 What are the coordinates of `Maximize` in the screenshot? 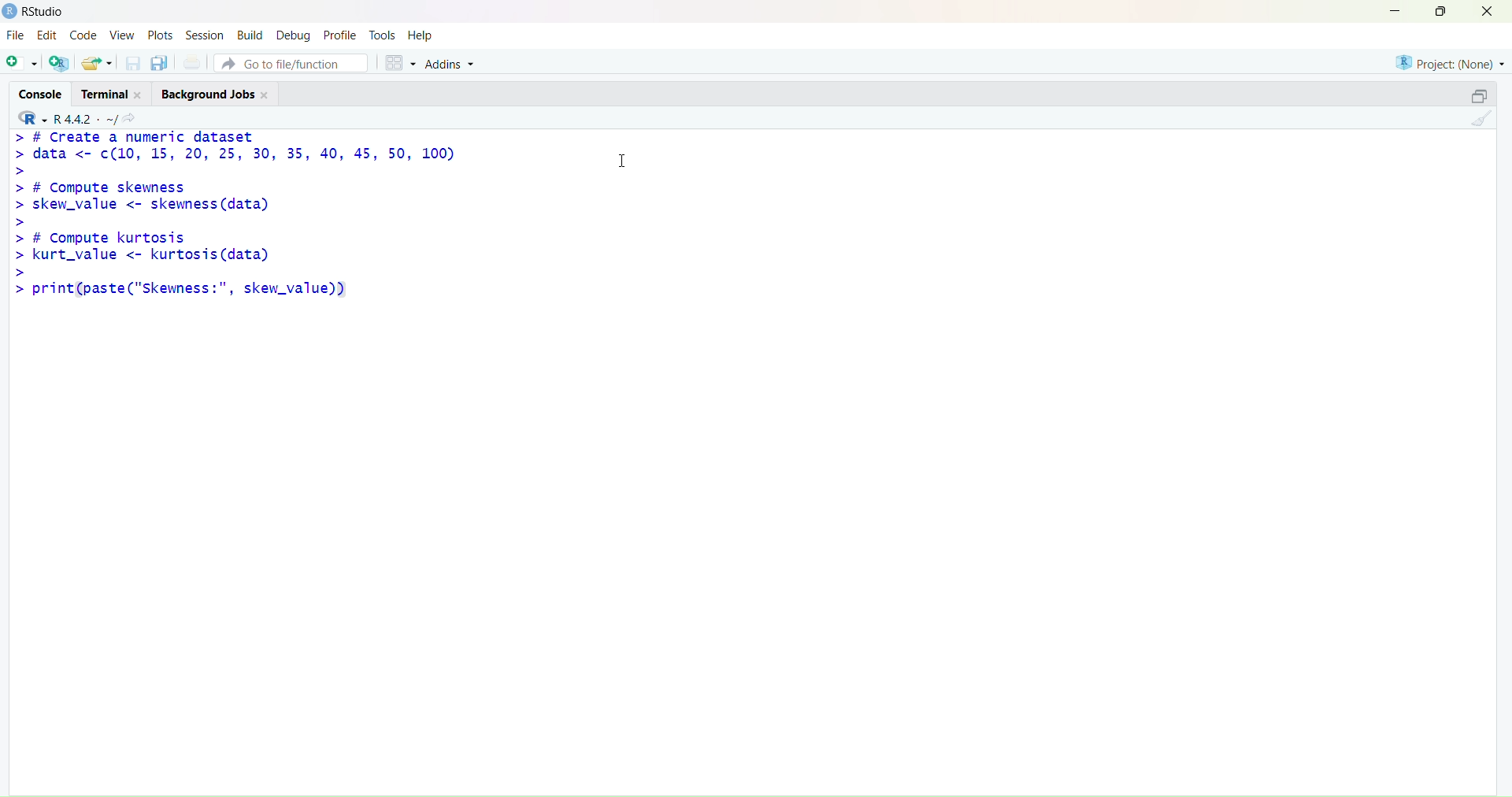 It's located at (1440, 13).